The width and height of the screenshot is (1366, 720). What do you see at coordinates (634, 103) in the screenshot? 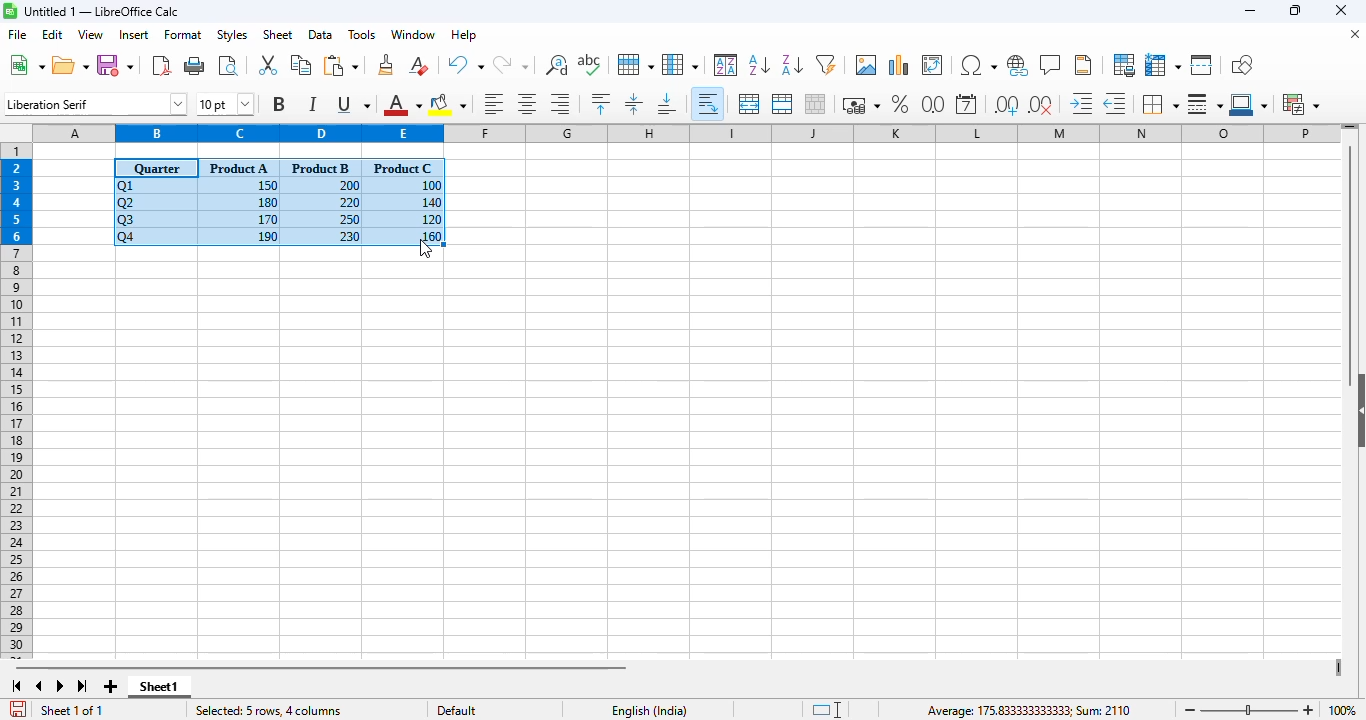
I see `center vertically` at bounding box center [634, 103].